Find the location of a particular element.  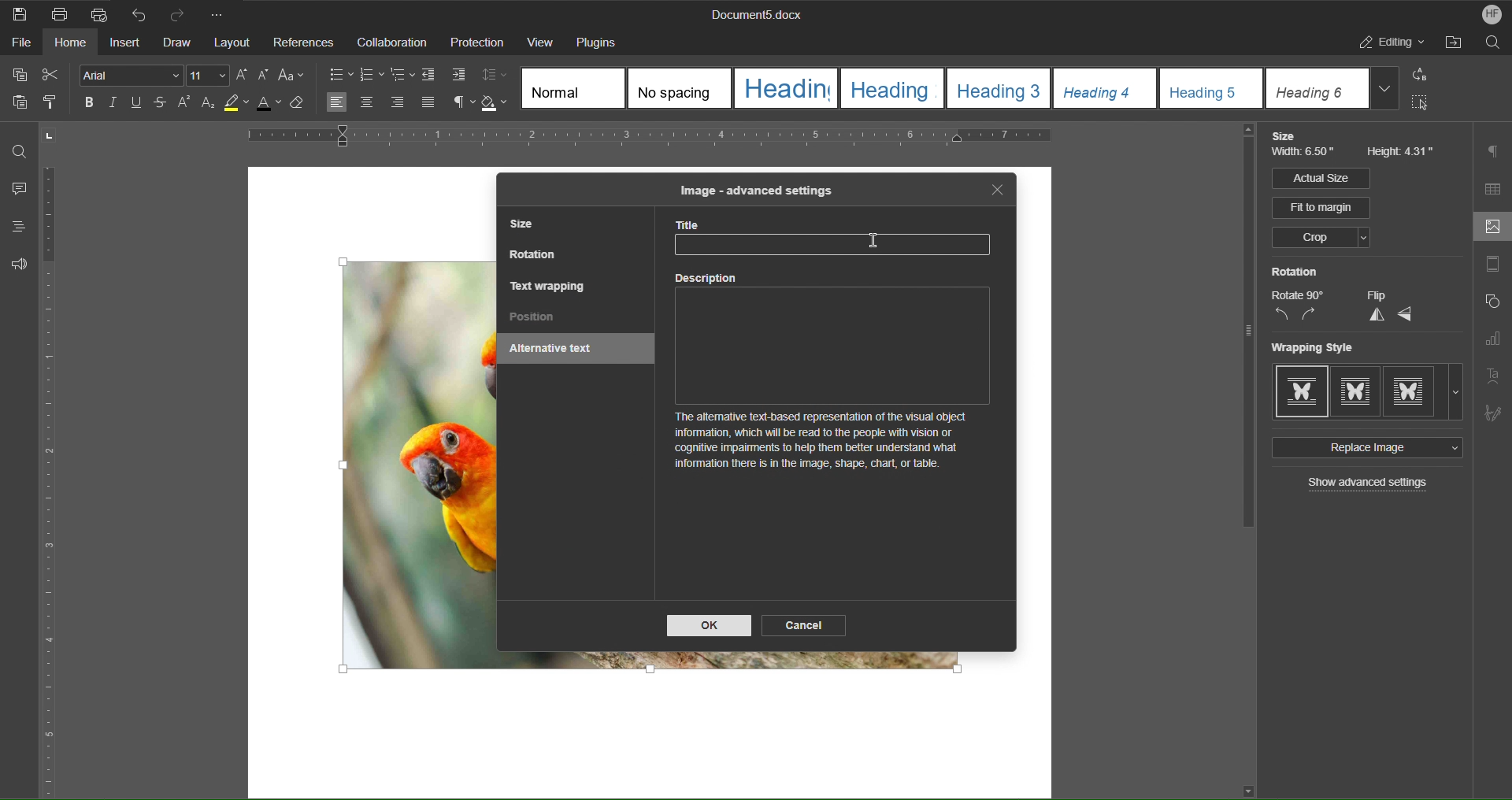

Line Spacing is located at coordinates (497, 76).